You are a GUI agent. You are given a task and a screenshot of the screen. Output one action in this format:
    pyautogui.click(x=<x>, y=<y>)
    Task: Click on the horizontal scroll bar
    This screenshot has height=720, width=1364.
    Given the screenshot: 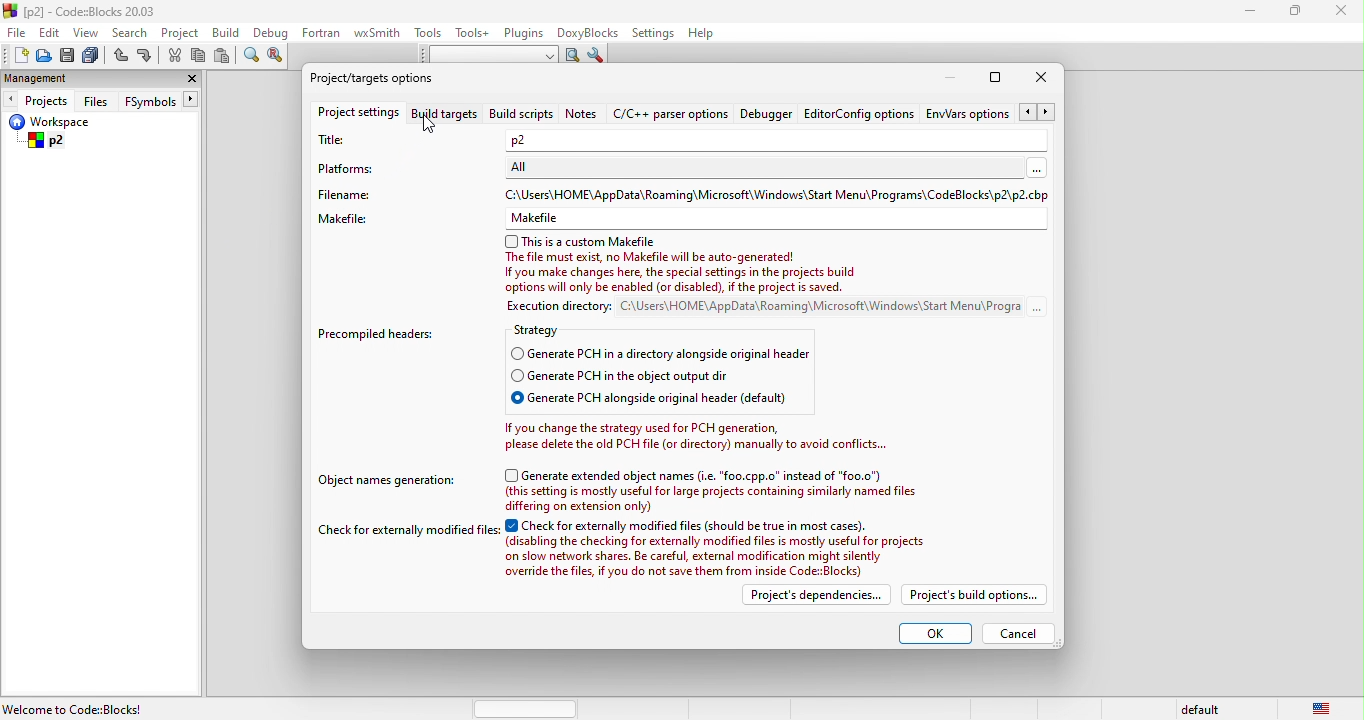 What is the action you would take?
    pyautogui.click(x=528, y=708)
    